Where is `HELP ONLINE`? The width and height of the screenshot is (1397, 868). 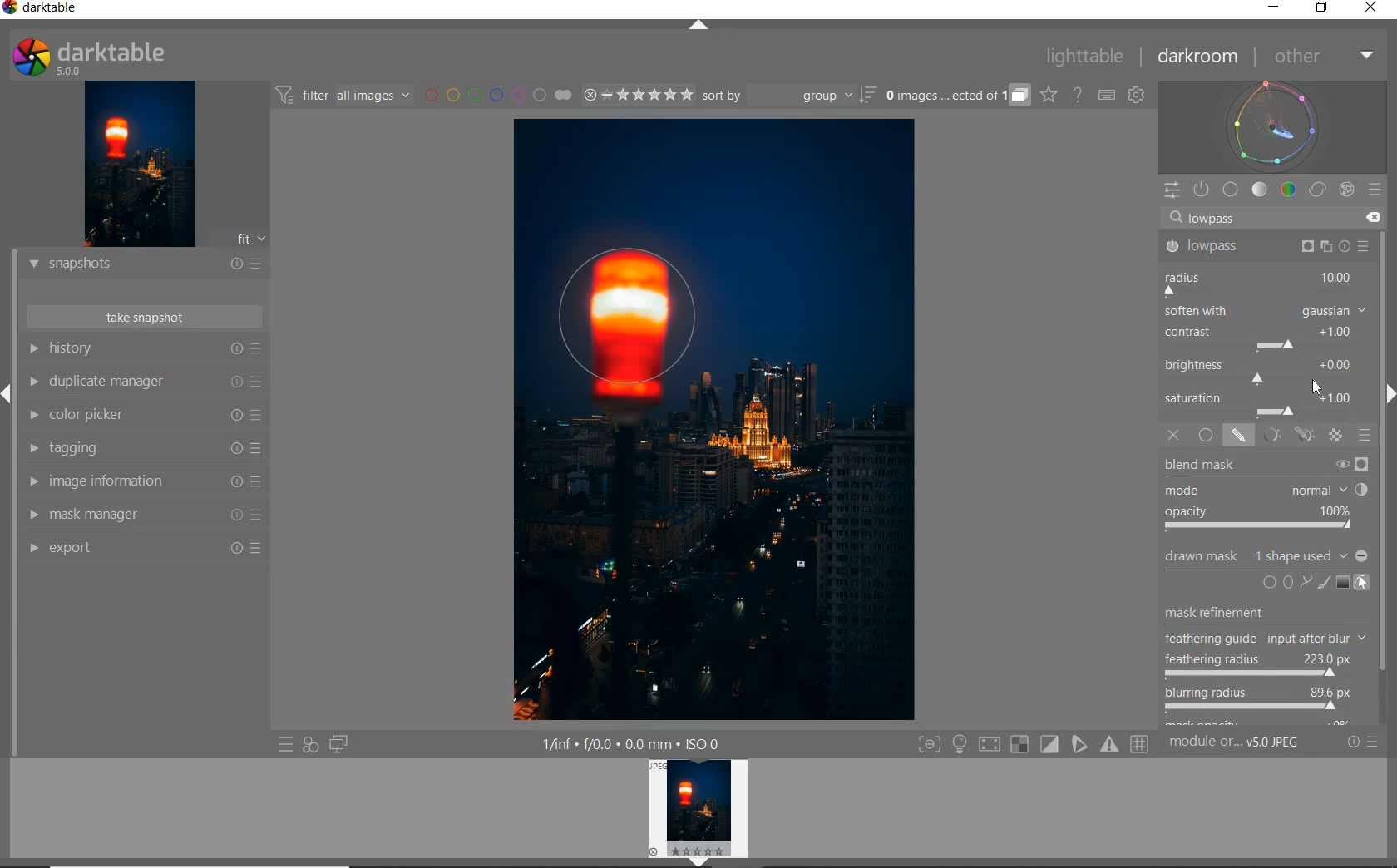 HELP ONLINE is located at coordinates (1077, 94).